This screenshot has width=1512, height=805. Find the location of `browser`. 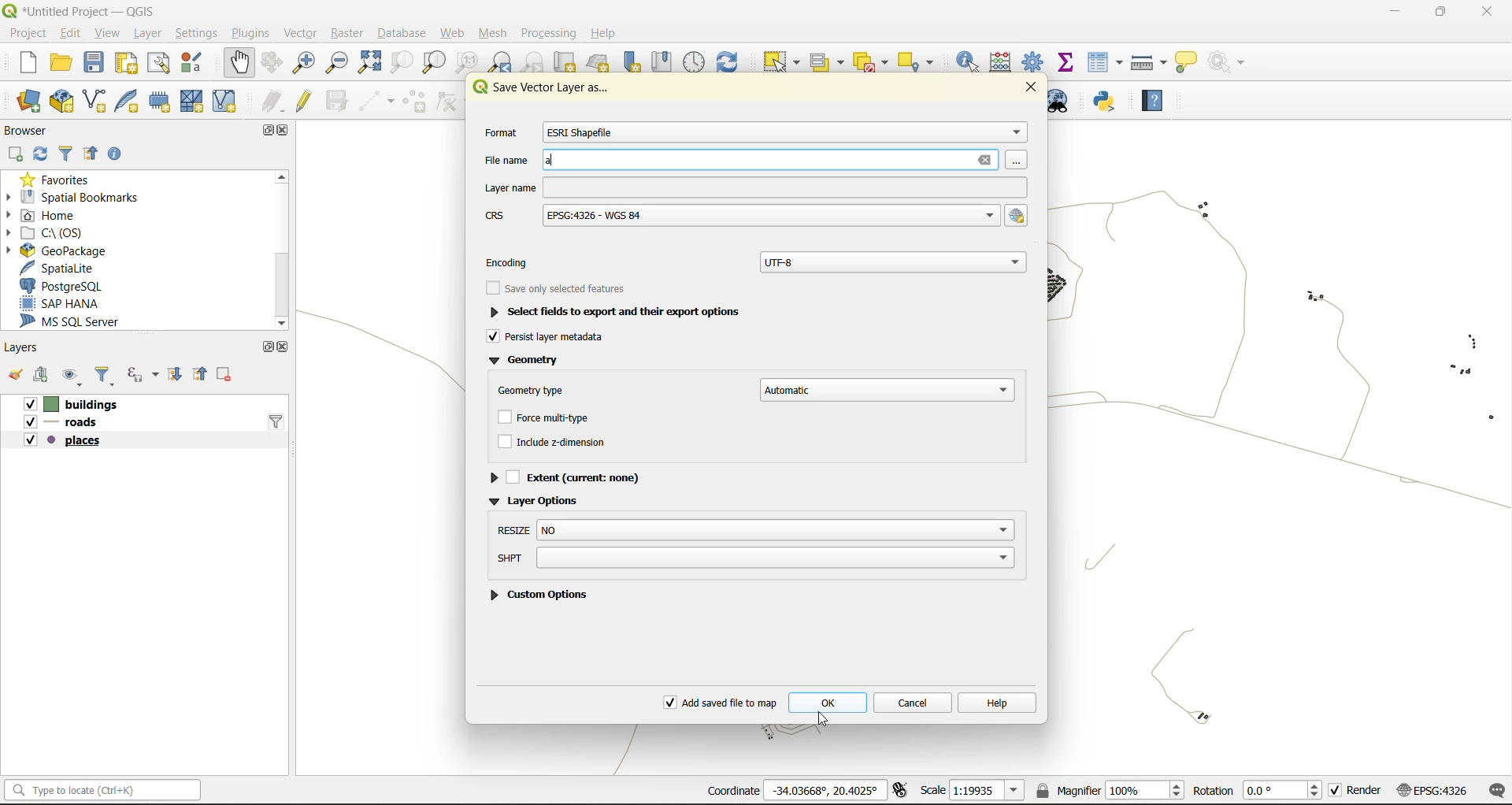

browser is located at coordinates (31, 128).